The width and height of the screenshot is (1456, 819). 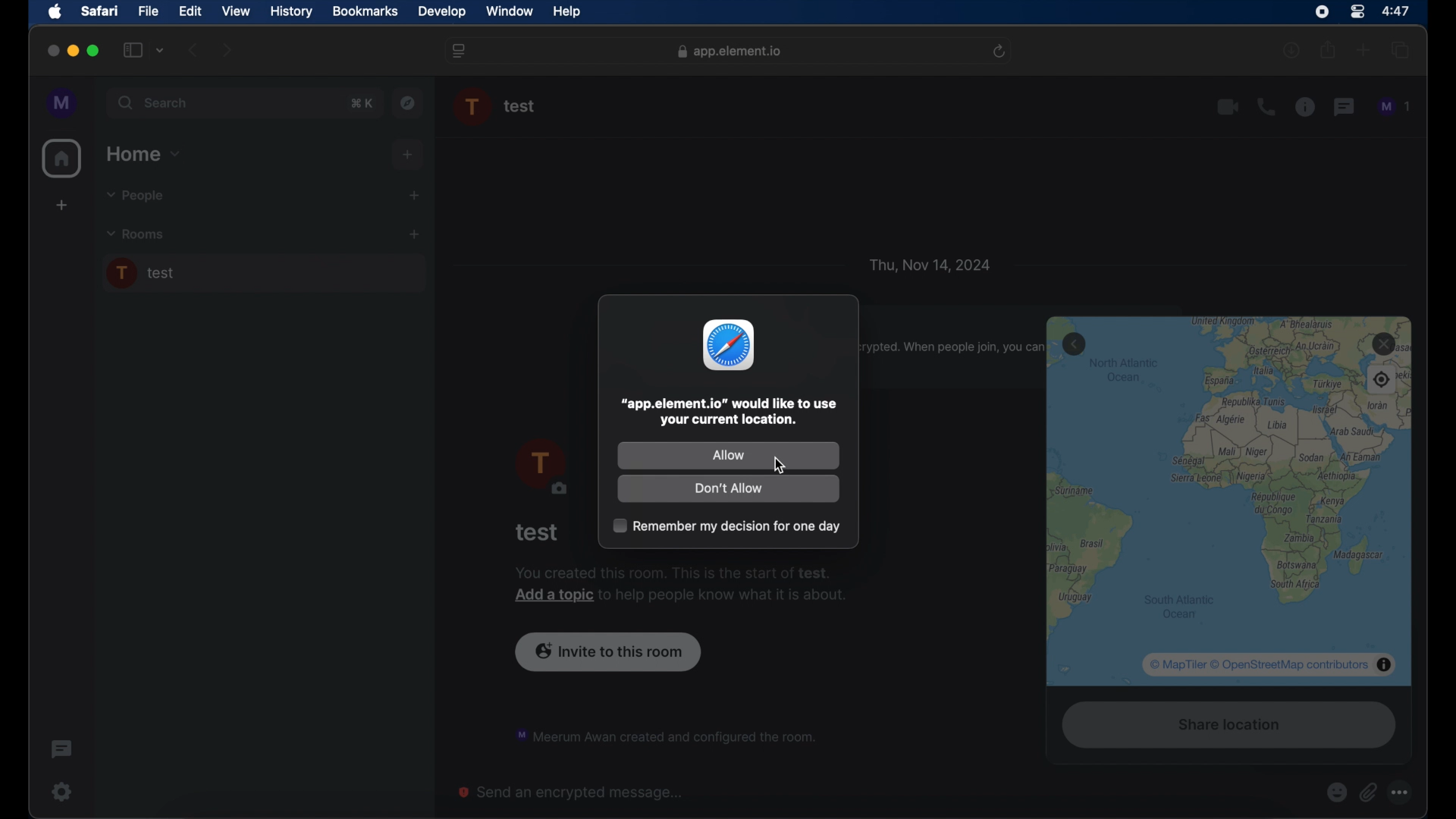 I want to click on chat name, so click(x=520, y=107).